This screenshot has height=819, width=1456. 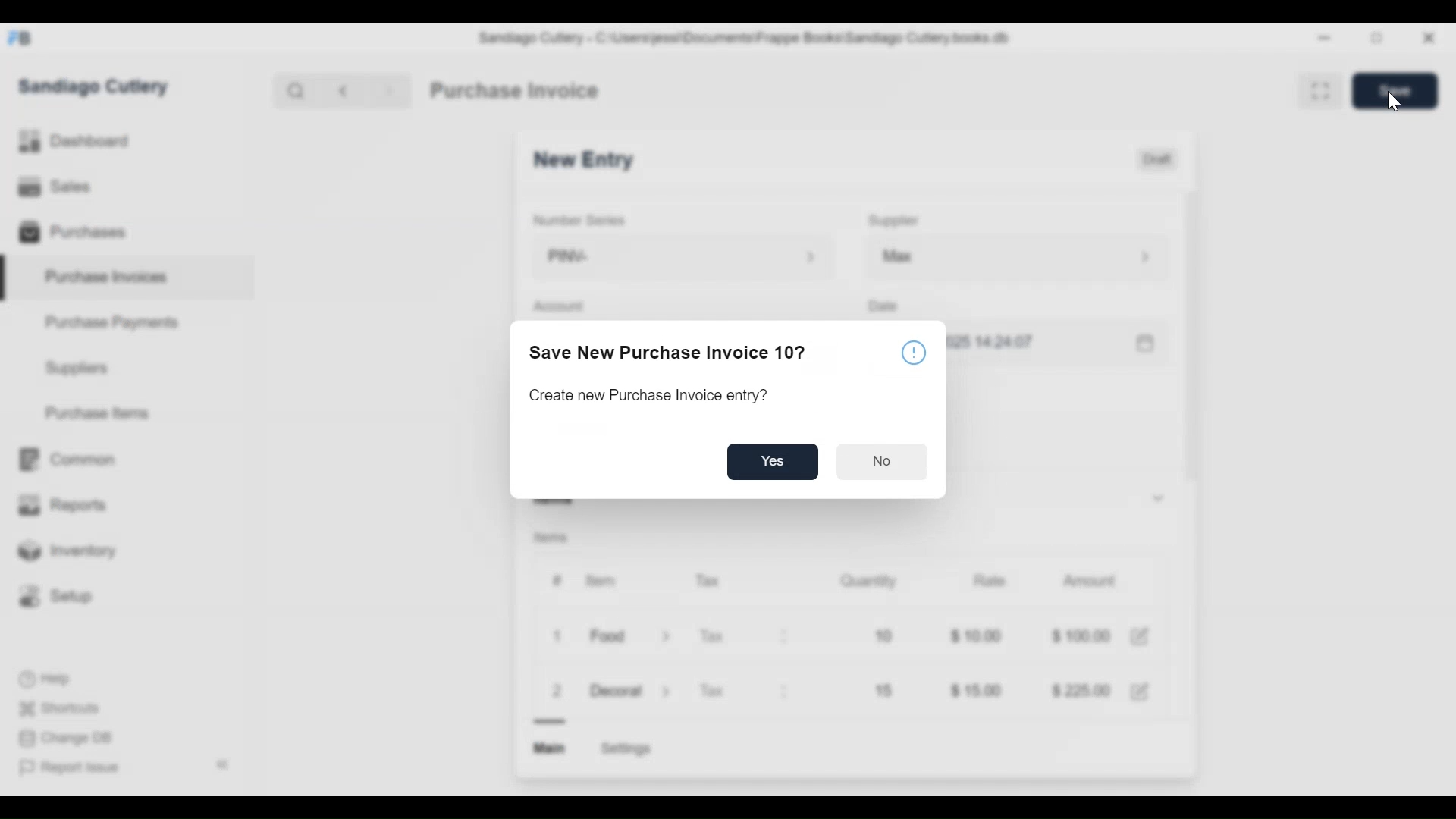 What do you see at coordinates (774, 463) in the screenshot?
I see `Yes` at bounding box center [774, 463].